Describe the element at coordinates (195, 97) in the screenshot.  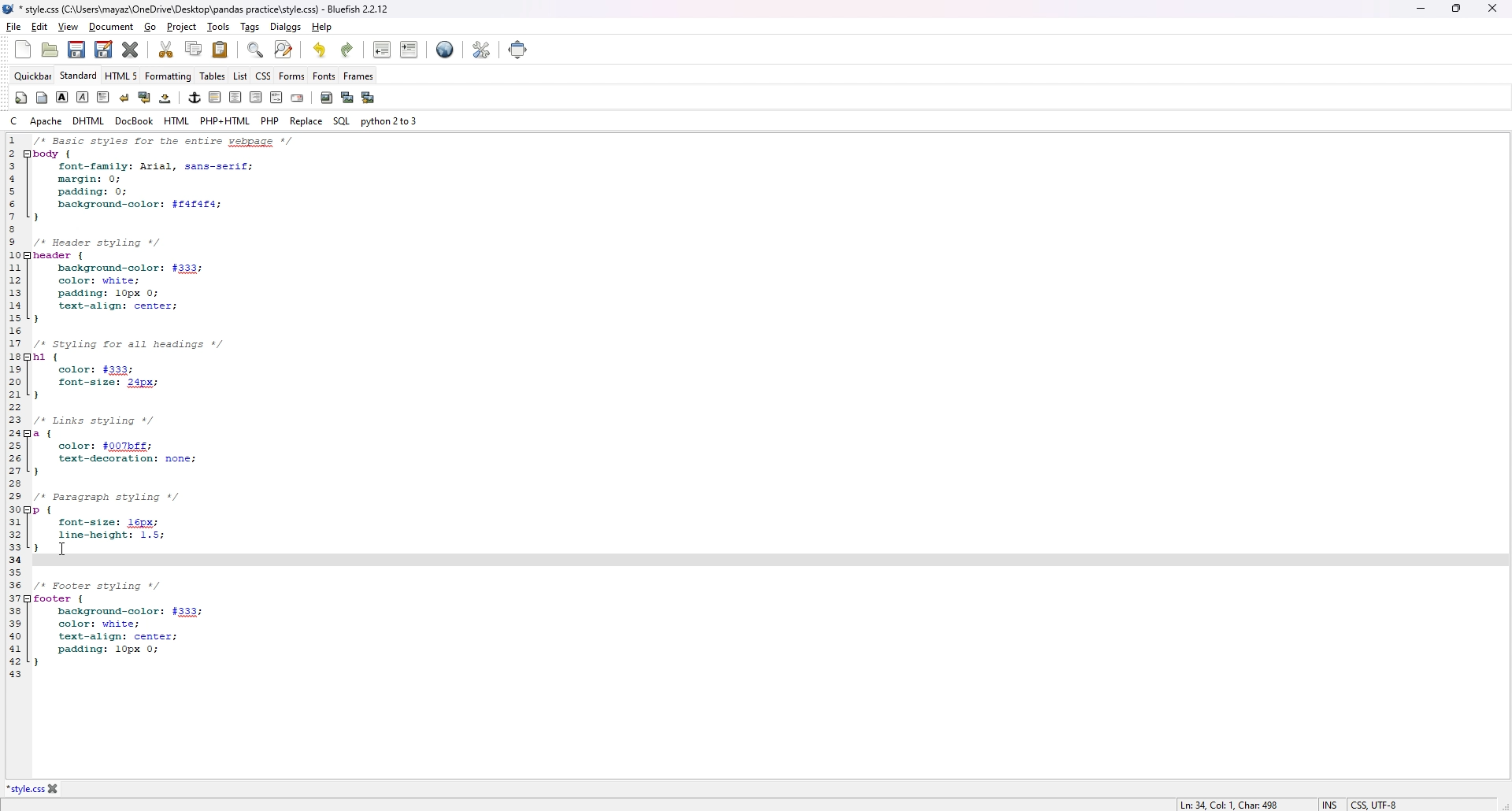
I see `anchor` at that location.